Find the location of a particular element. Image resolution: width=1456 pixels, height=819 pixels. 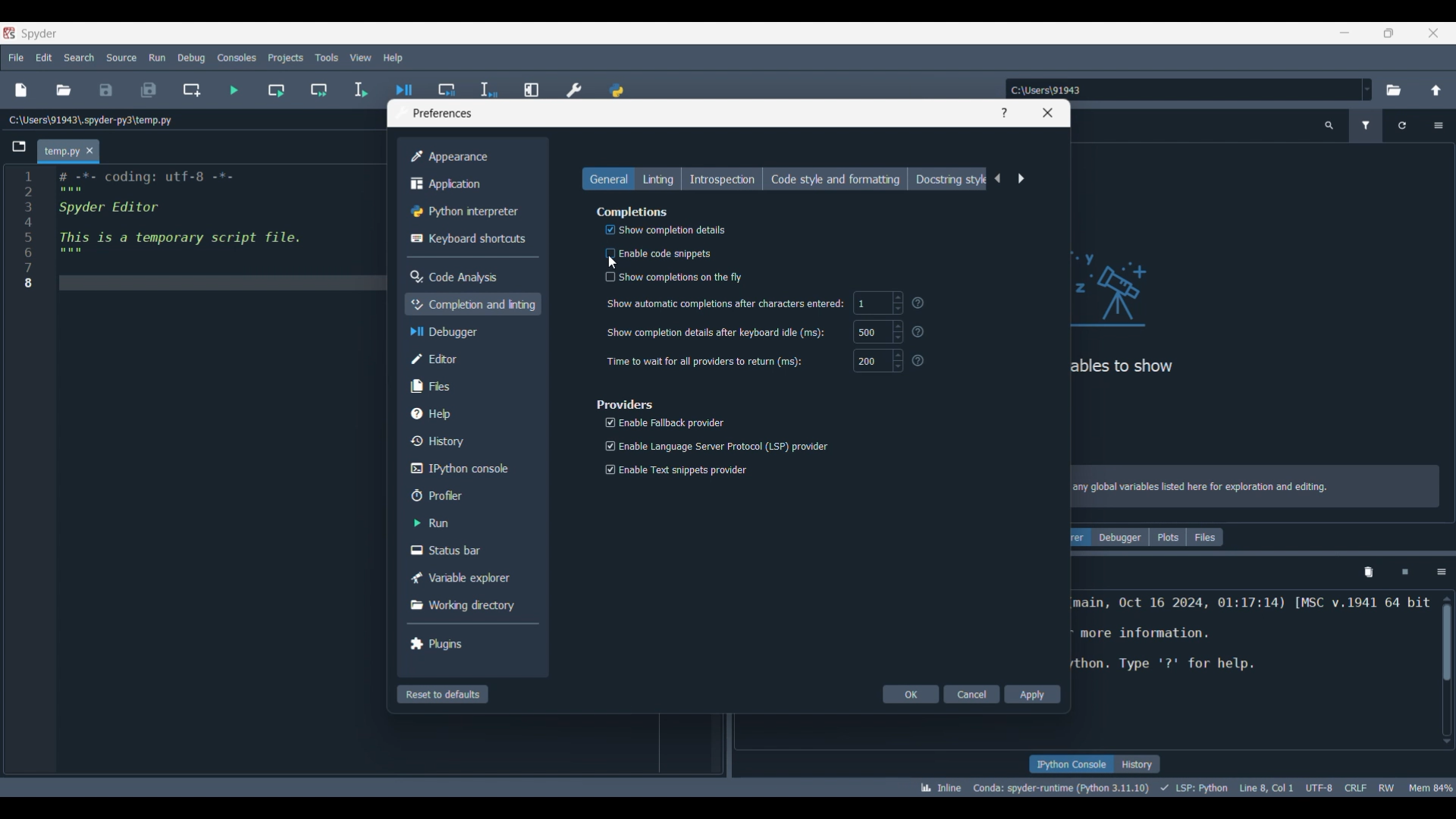

Profiler is located at coordinates (470, 495).